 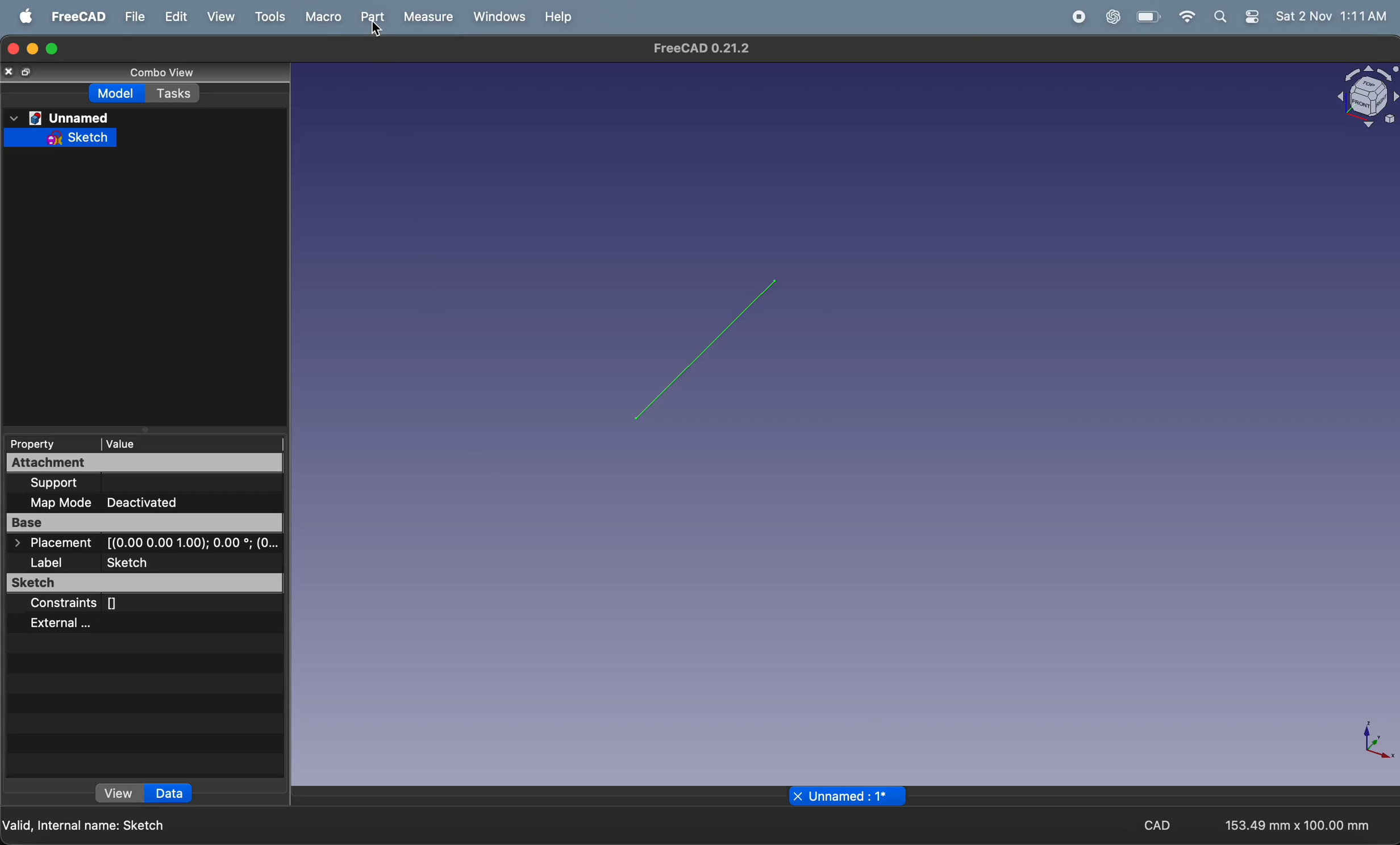 What do you see at coordinates (27, 72) in the screenshot?
I see `resize` at bounding box center [27, 72].